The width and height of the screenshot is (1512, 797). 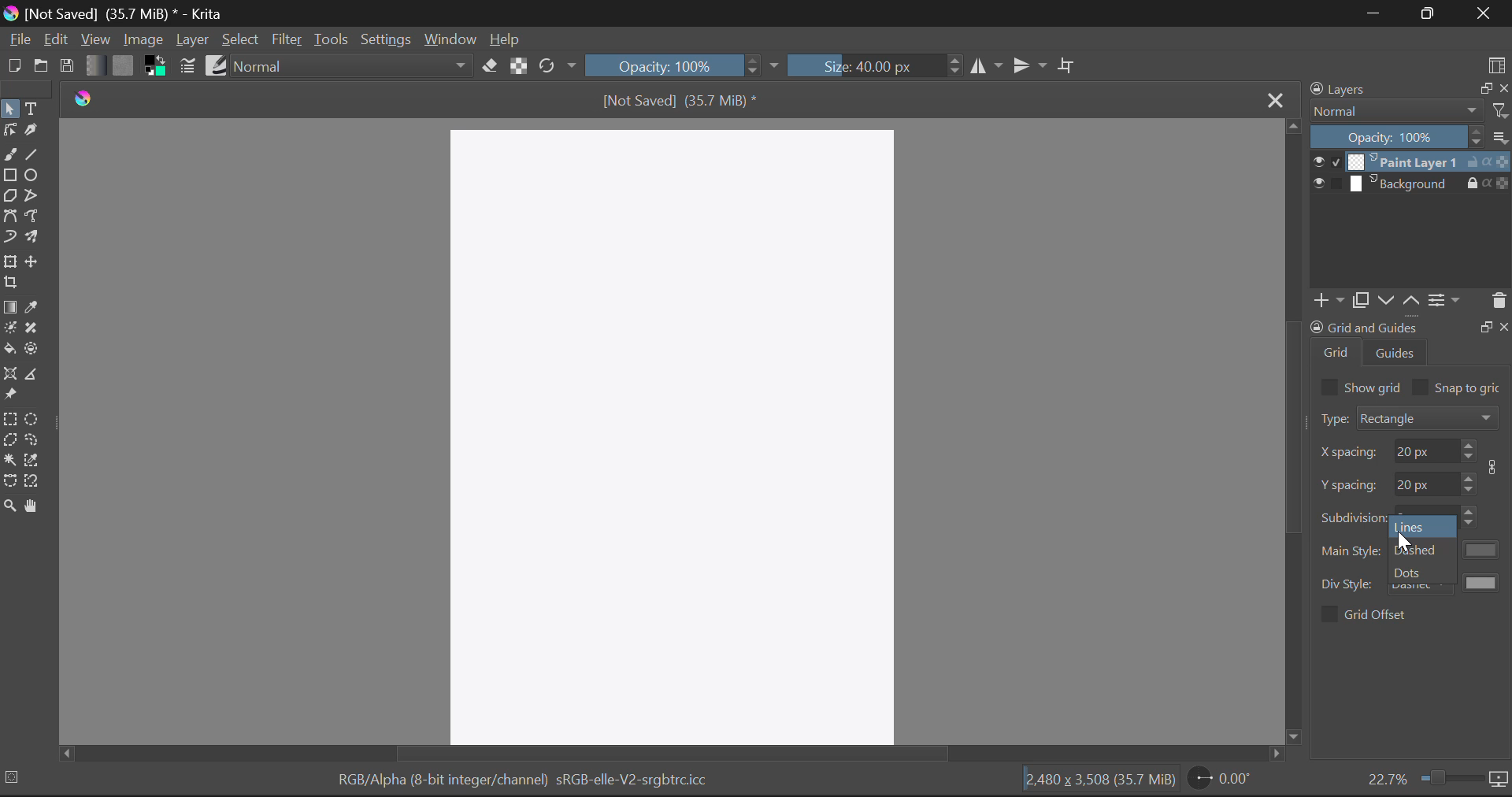 I want to click on File, so click(x=19, y=40).